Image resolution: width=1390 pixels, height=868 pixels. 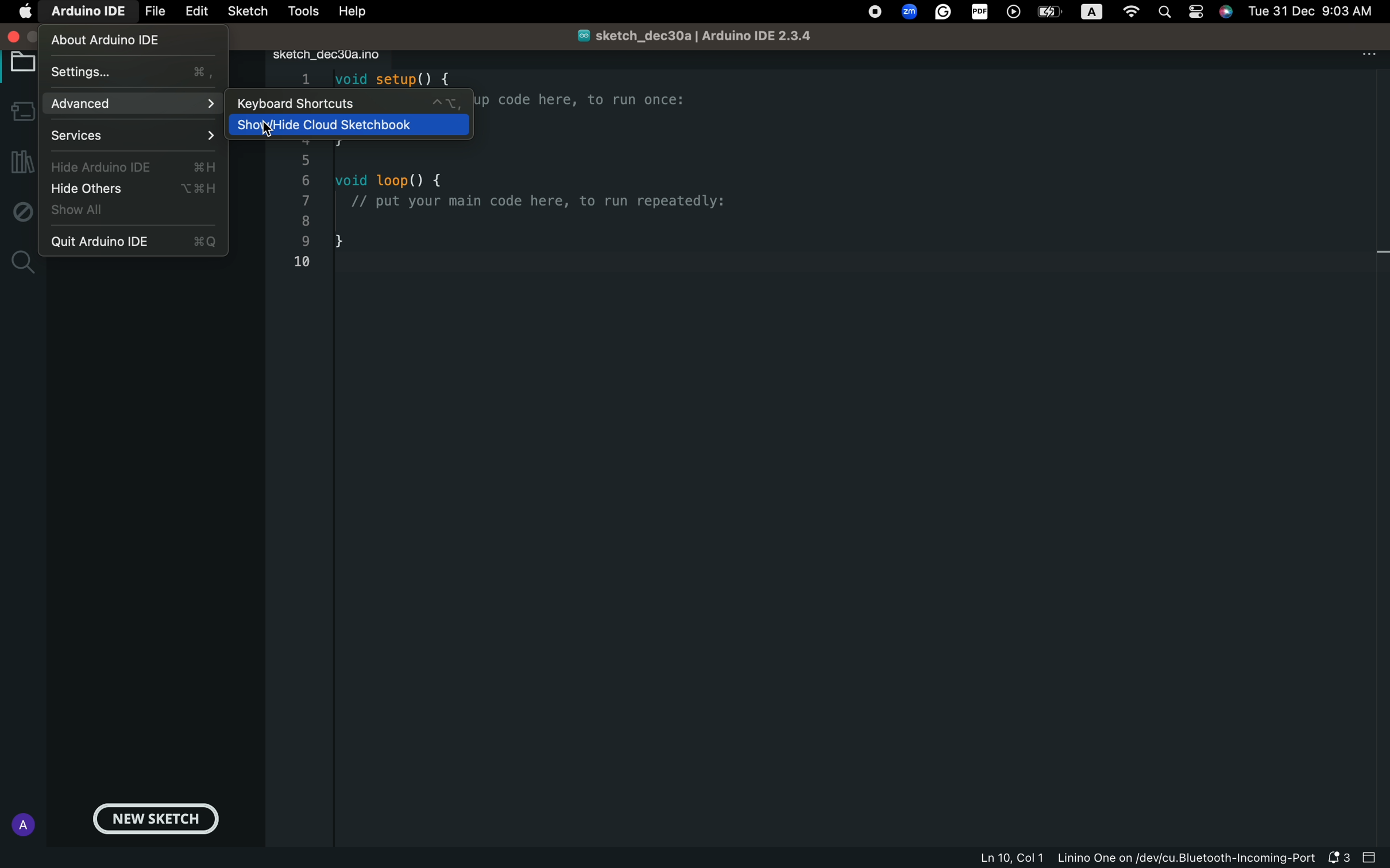 I want to click on notification, so click(x=1337, y=858).